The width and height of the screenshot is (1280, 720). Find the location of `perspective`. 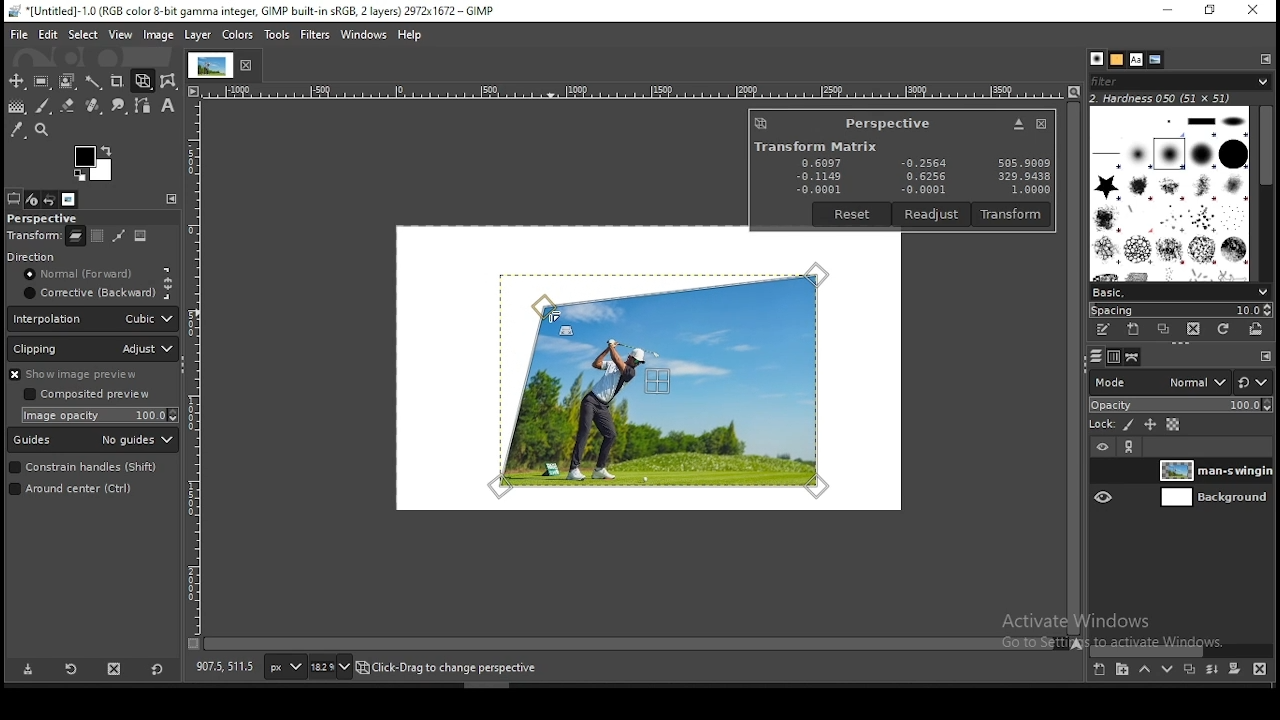

perspective is located at coordinates (888, 123).